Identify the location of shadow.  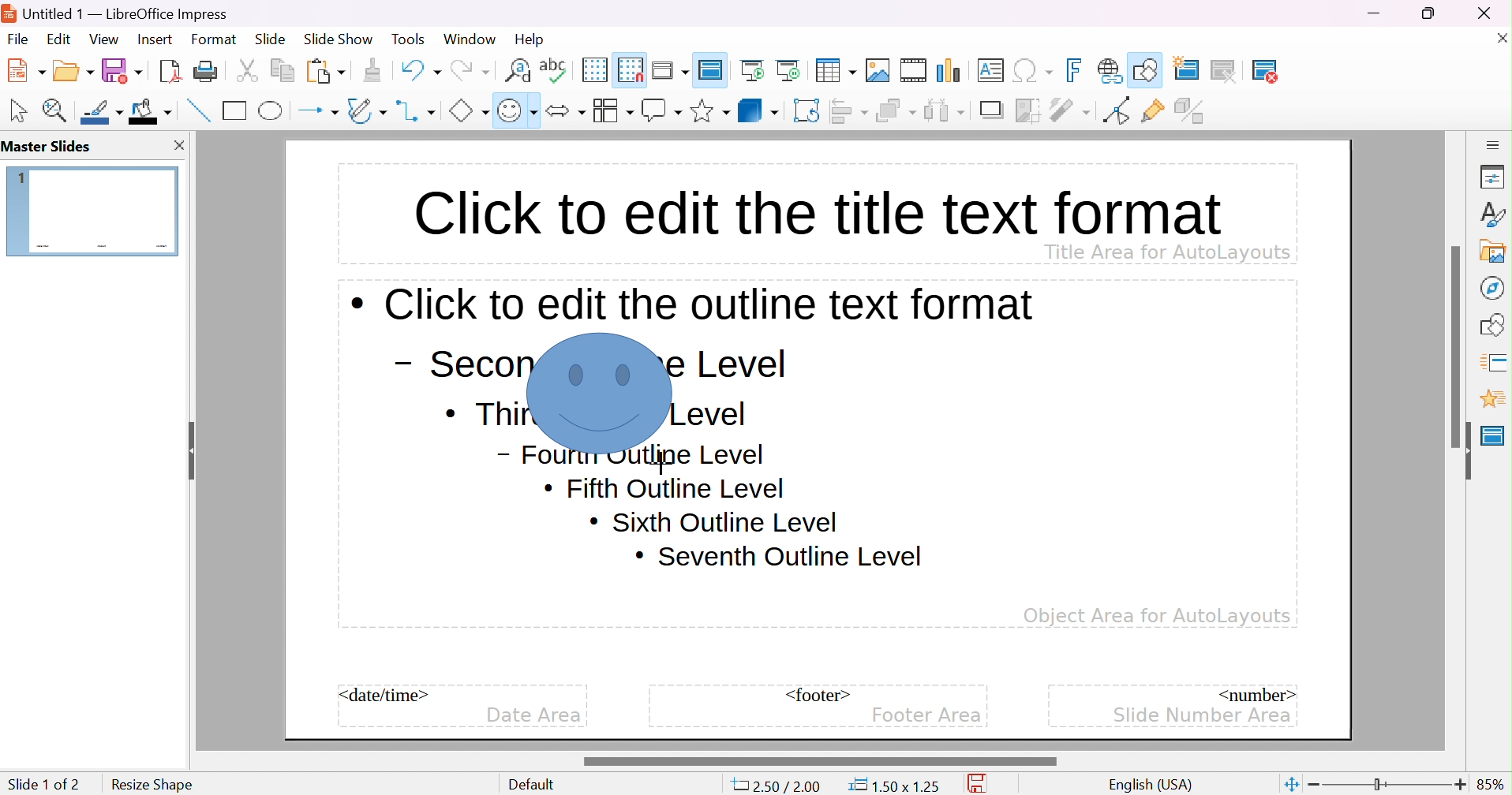
(994, 111).